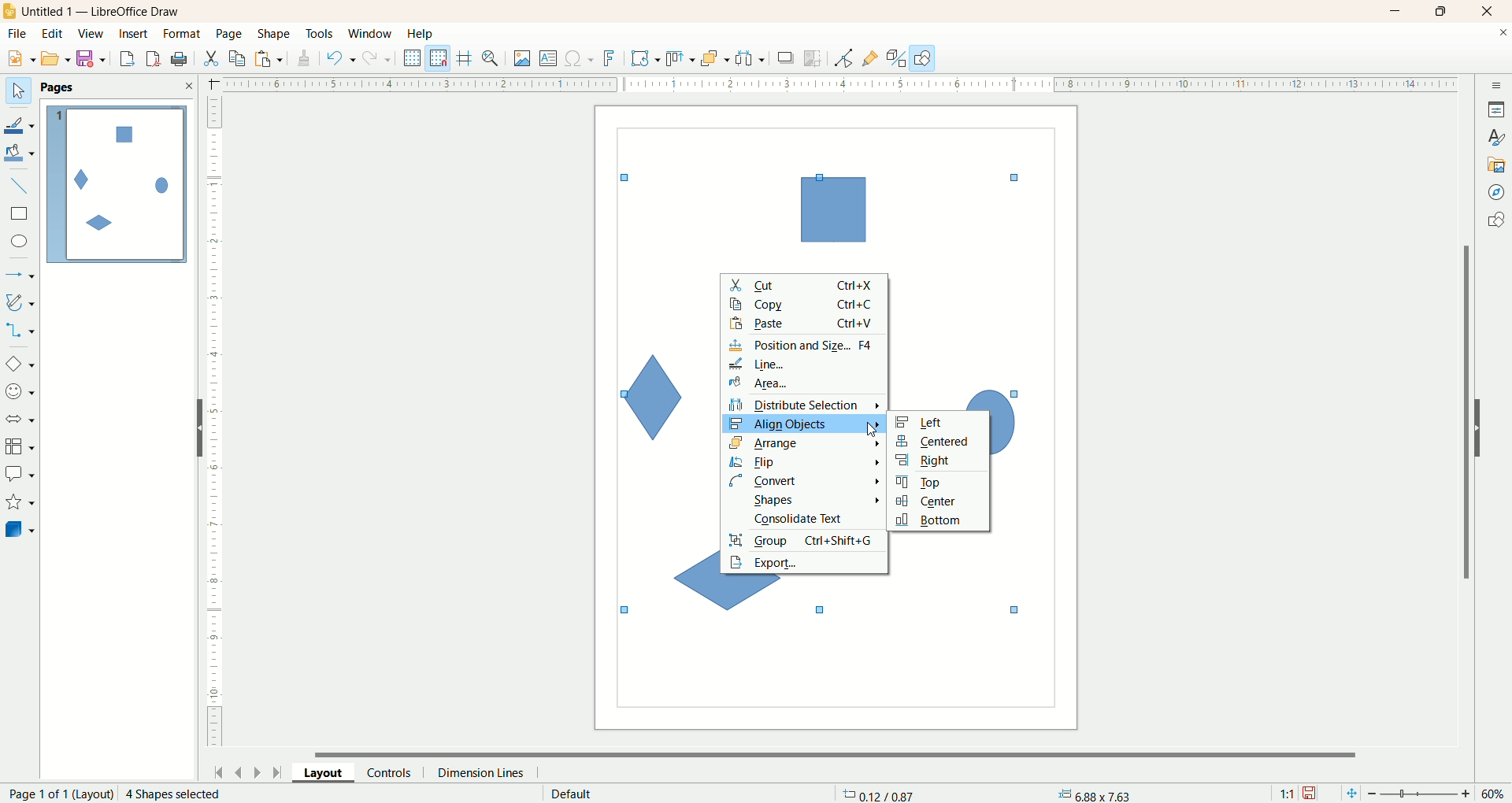 The image size is (1512, 803). I want to click on bottom, so click(936, 522).